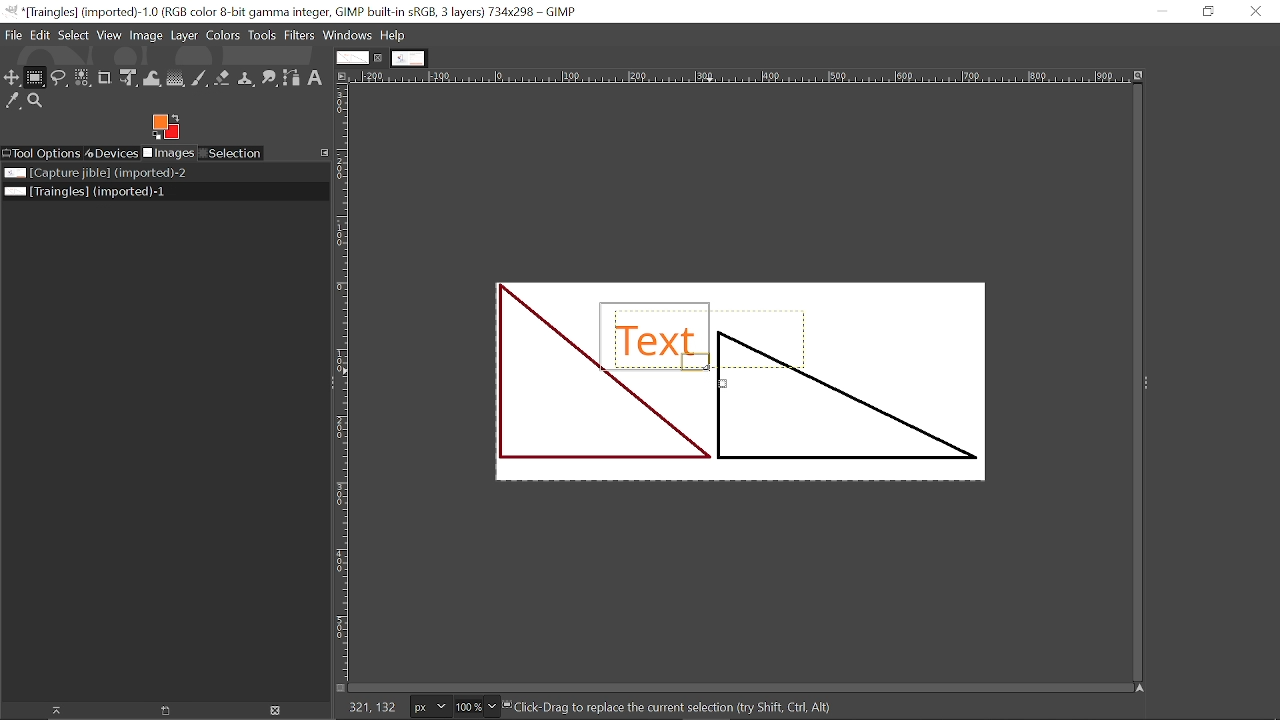 The width and height of the screenshot is (1280, 720). What do you see at coordinates (341, 689) in the screenshot?
I see `Toggle quick mask on/off` at bounding box center [341, 689].